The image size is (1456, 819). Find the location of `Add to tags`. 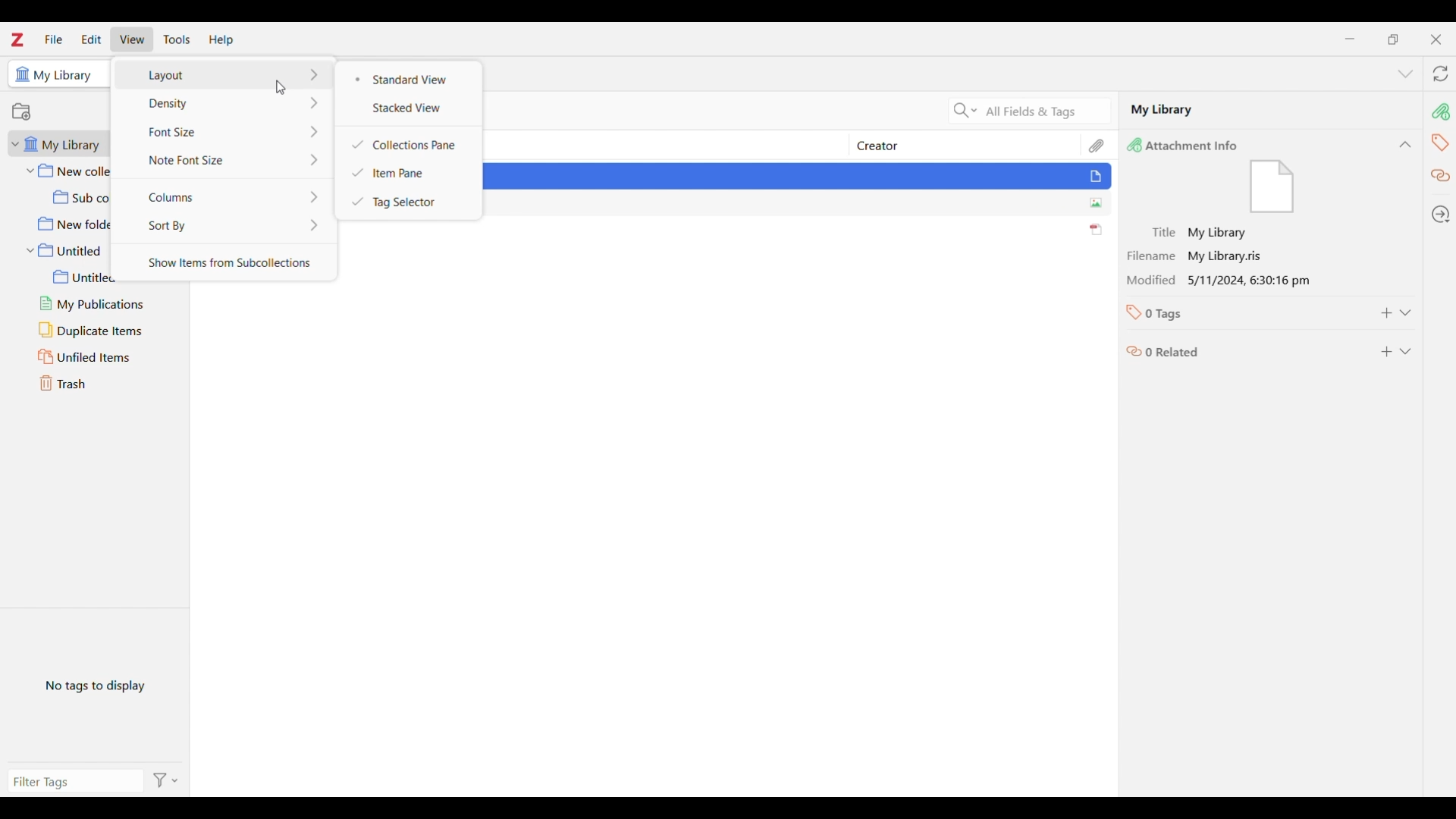

Add to tags is located at coordinates (1386, 313).